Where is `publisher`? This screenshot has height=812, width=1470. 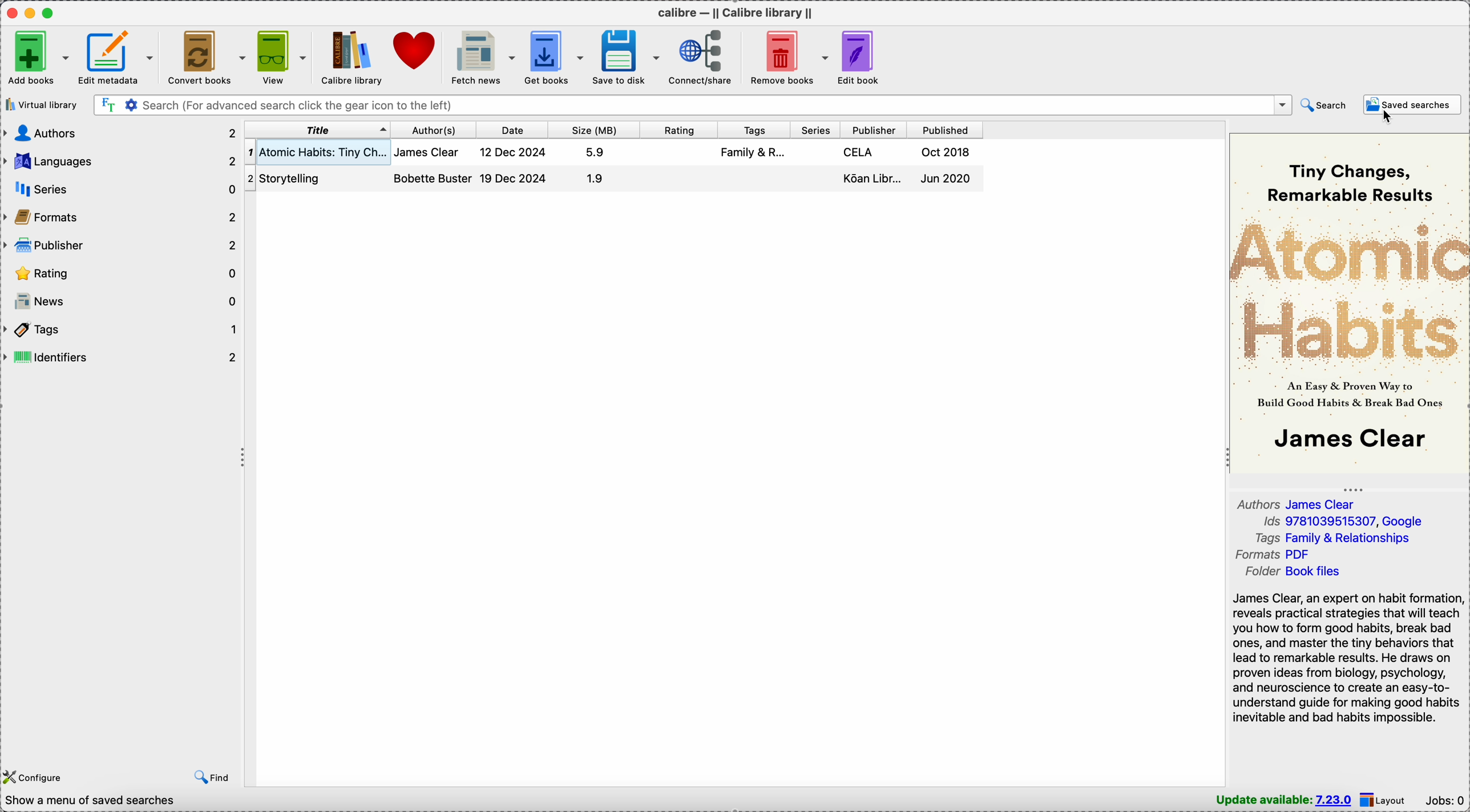
publisher is located at coordinates (875, 167).